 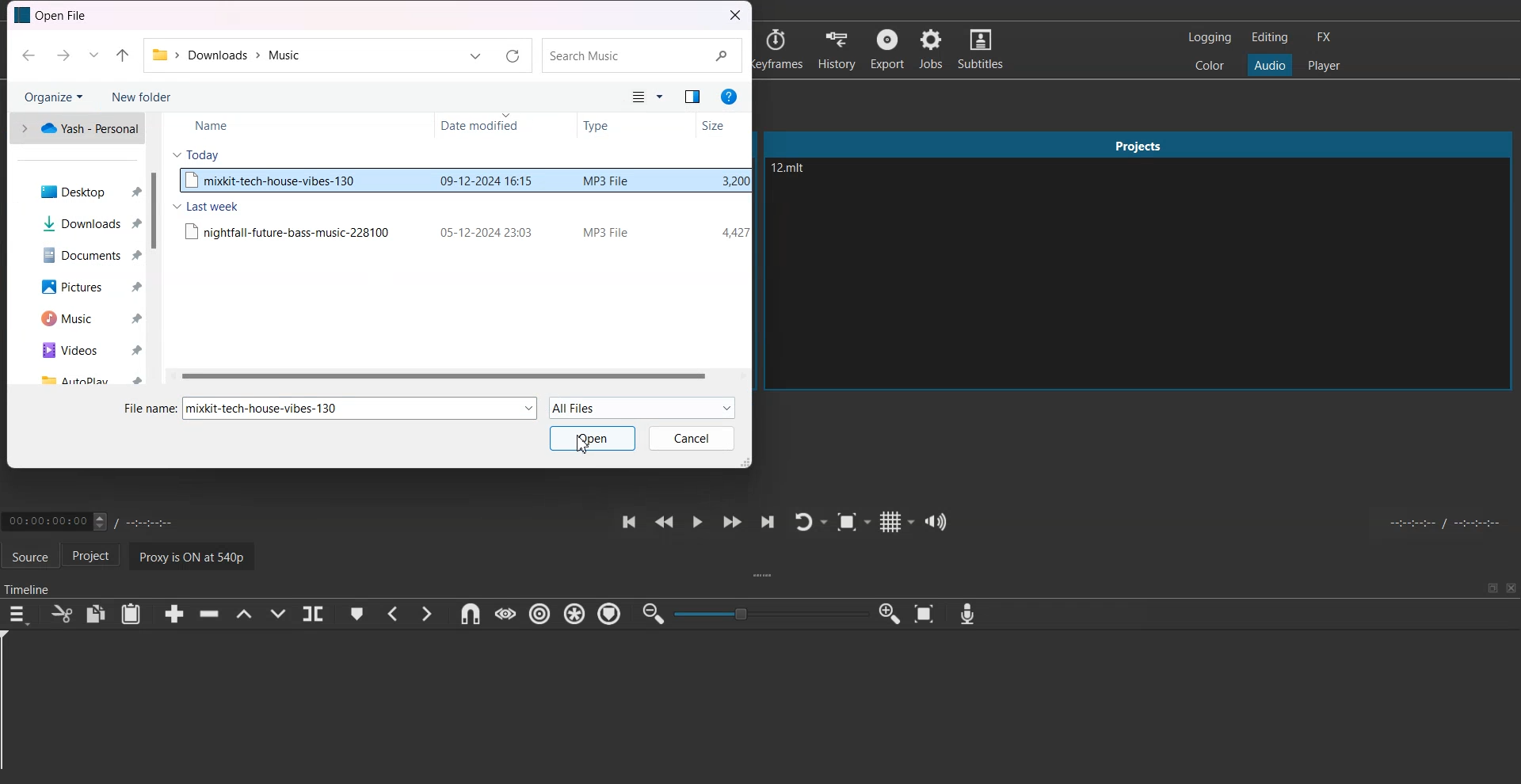 I want to click on Overwrite, so click(x=280, y=614).